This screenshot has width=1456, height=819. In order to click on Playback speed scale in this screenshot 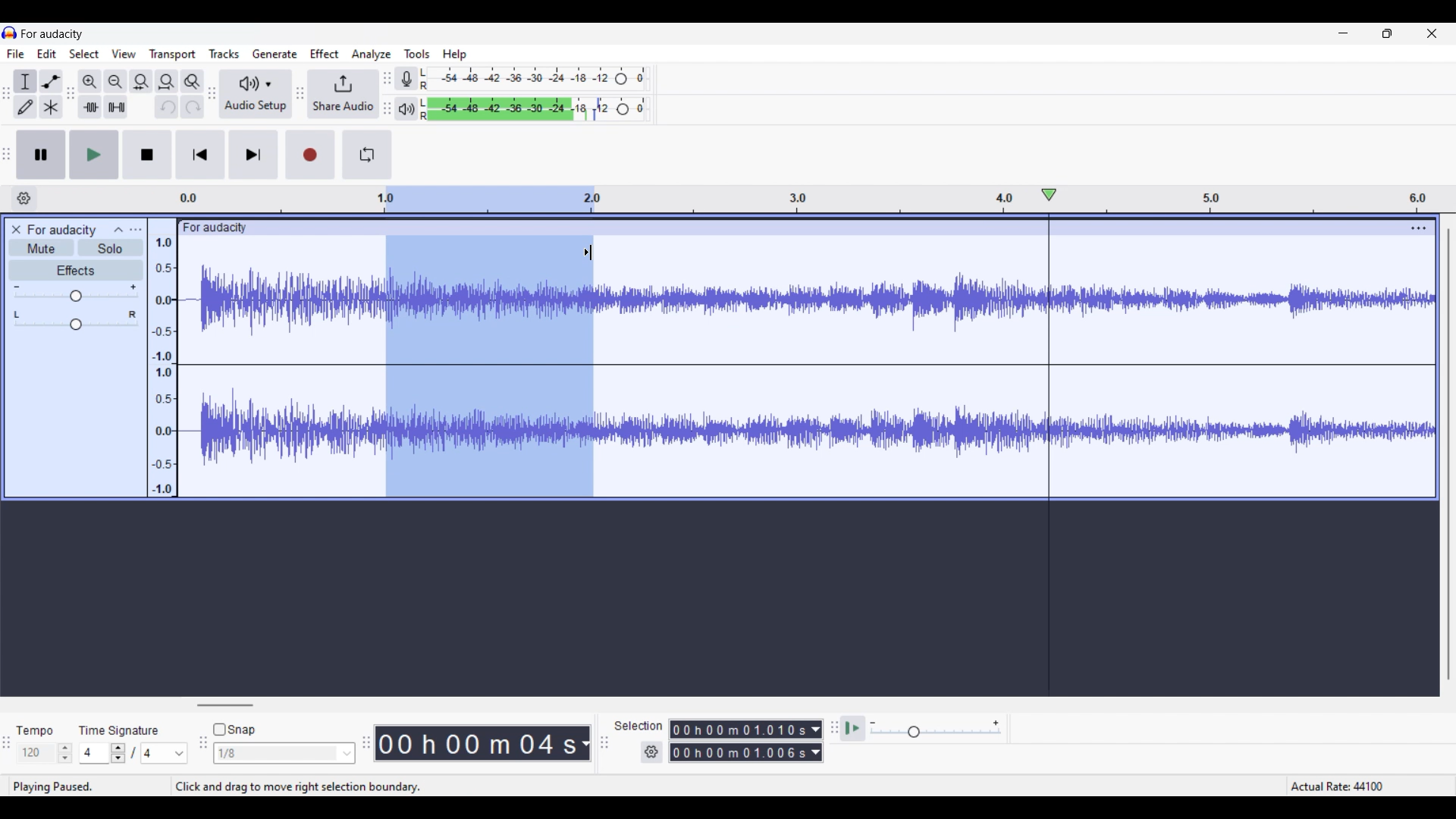, I will do `click(935, 729)`.